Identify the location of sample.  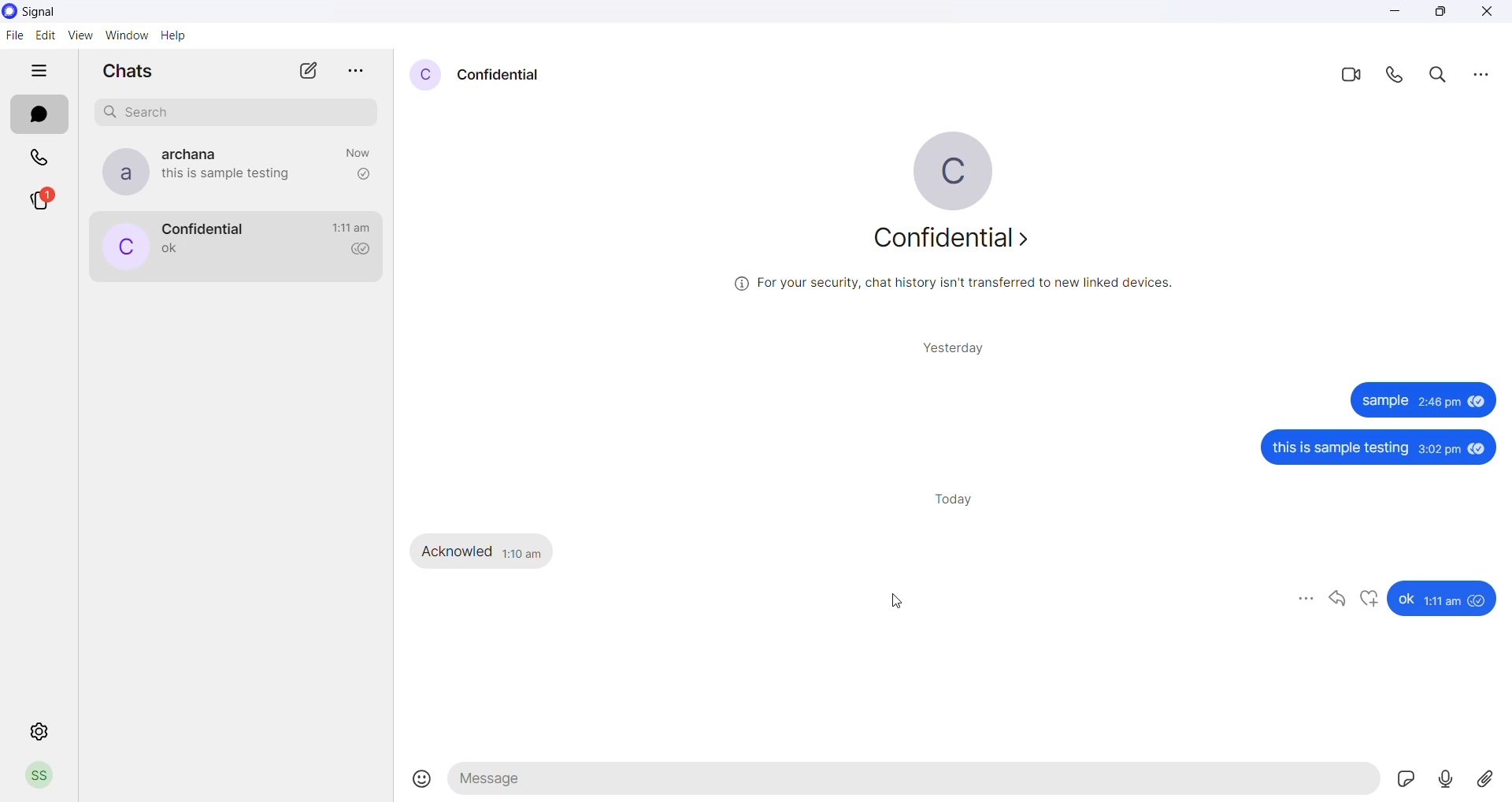
(1383, 402).